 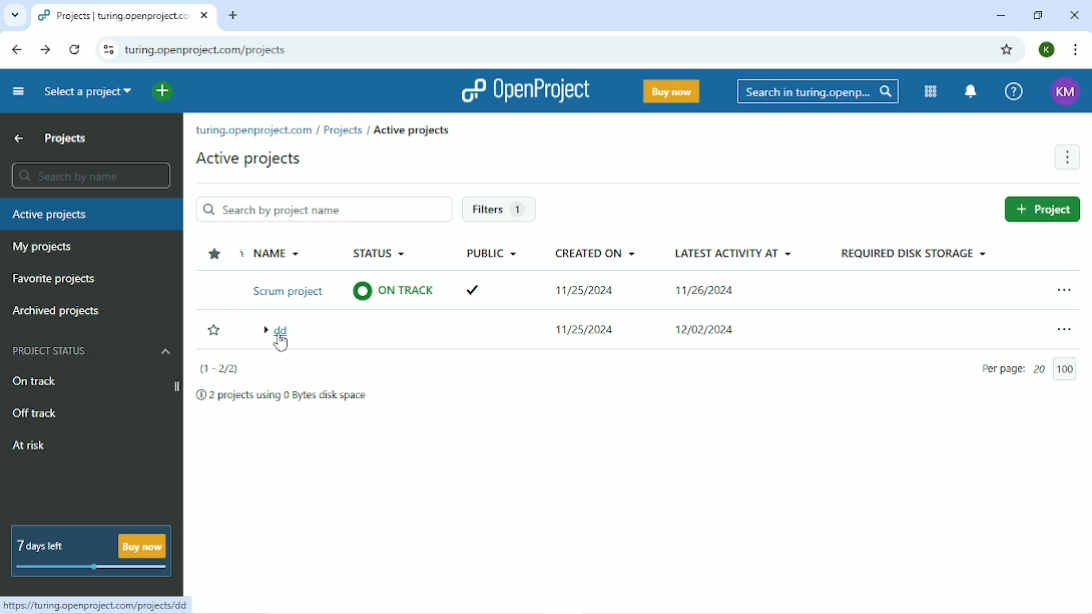 What do you see at coordinates (671, 91) in the screenshot?
I see `Buy now` at bounding box center [671, 91].